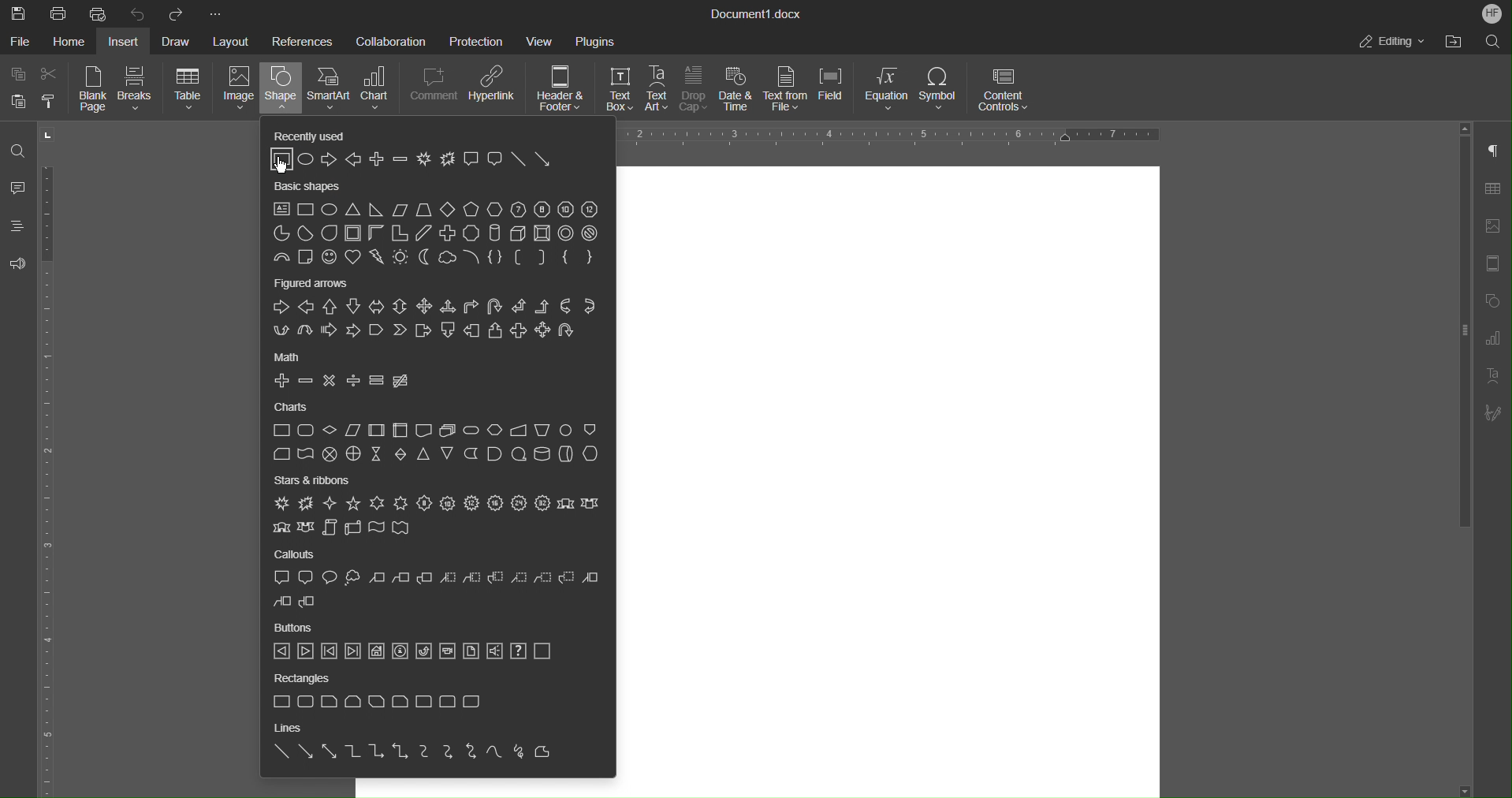 The image size is (1512, 798). I want to click on Symbol, so click(941, 91).